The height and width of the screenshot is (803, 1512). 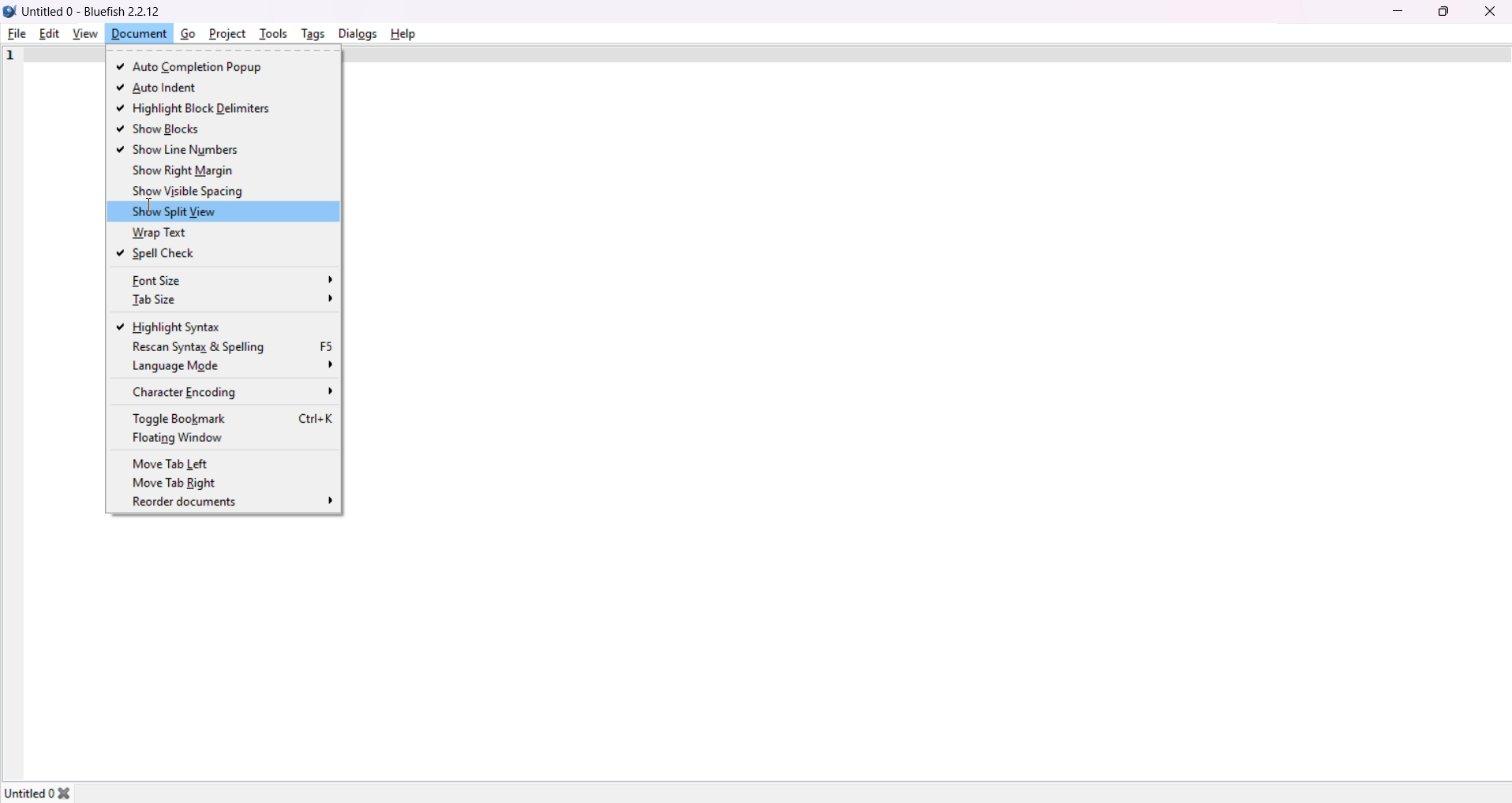 What do you see at coordinates (234, 390) in the screenshot?
I see `character encoding` at bounding box center [234, 390].